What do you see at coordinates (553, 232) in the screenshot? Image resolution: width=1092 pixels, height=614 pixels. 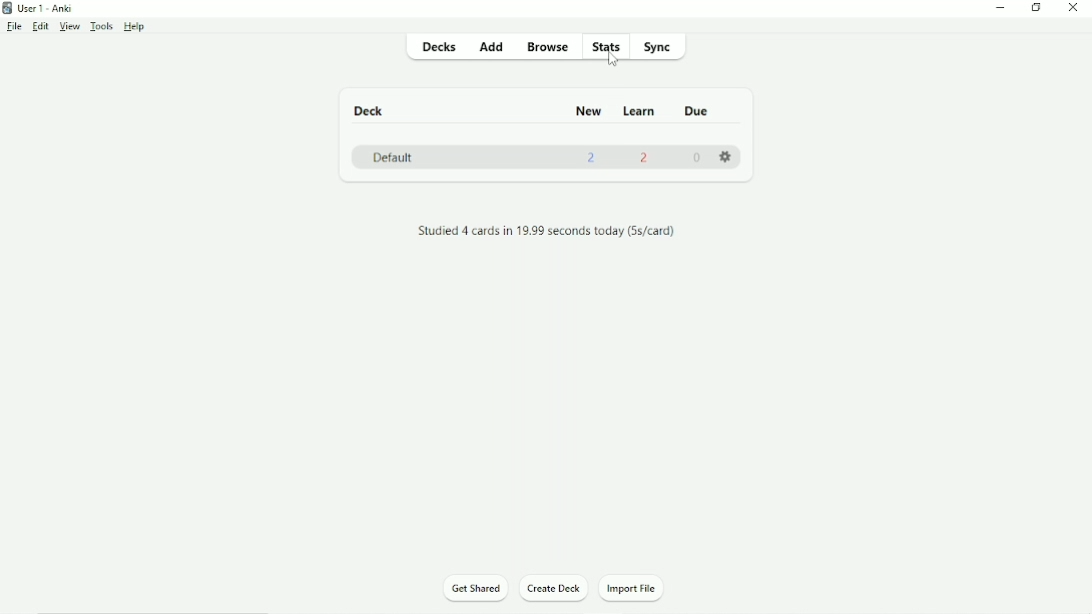 I see `Studied 4 cards in 19.99 seconds today (5s/card).` at bounding box center [553, 232].